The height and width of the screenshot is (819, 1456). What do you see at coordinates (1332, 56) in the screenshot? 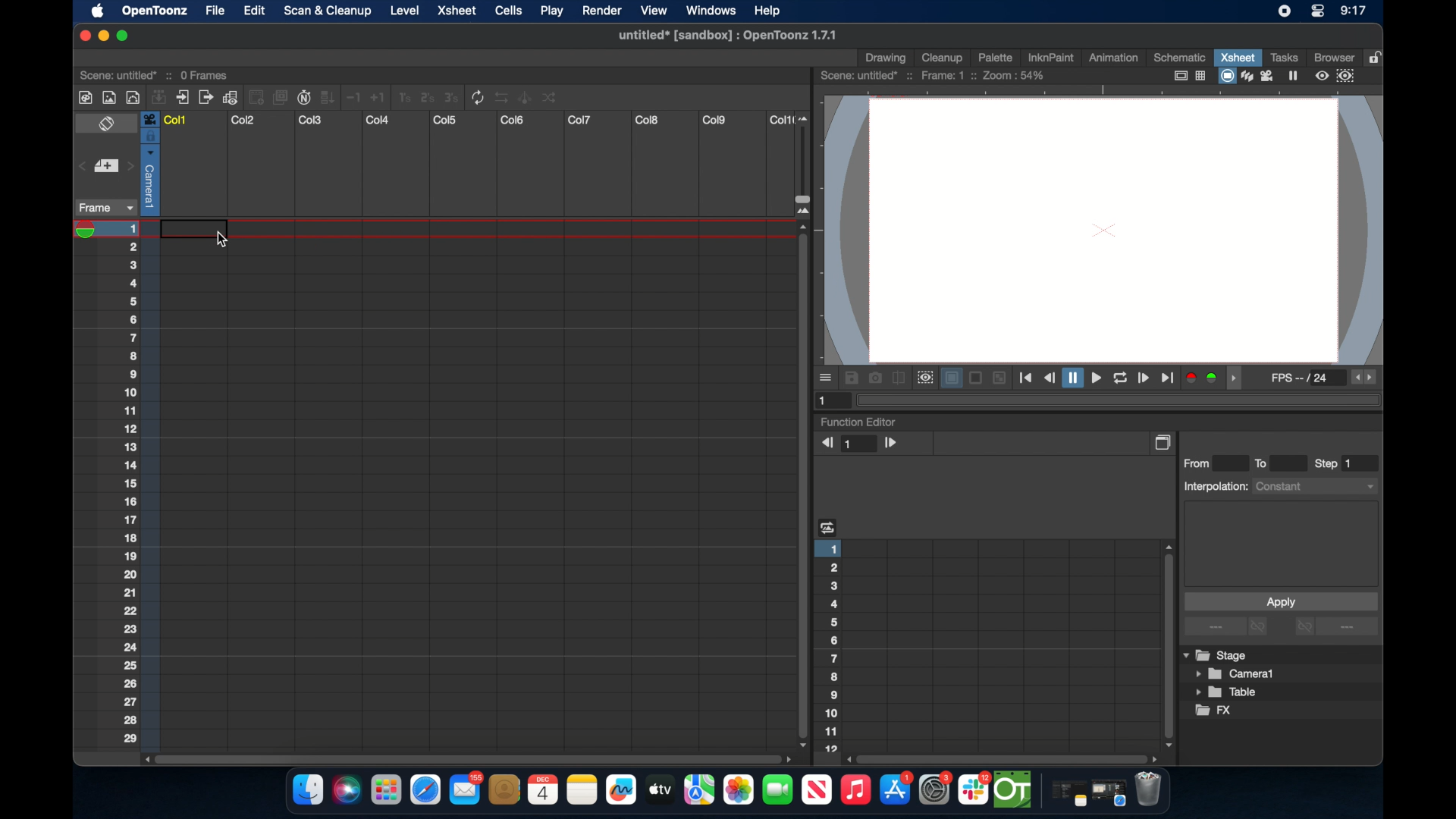
I see `browser` at bounding box center [1332, 56].